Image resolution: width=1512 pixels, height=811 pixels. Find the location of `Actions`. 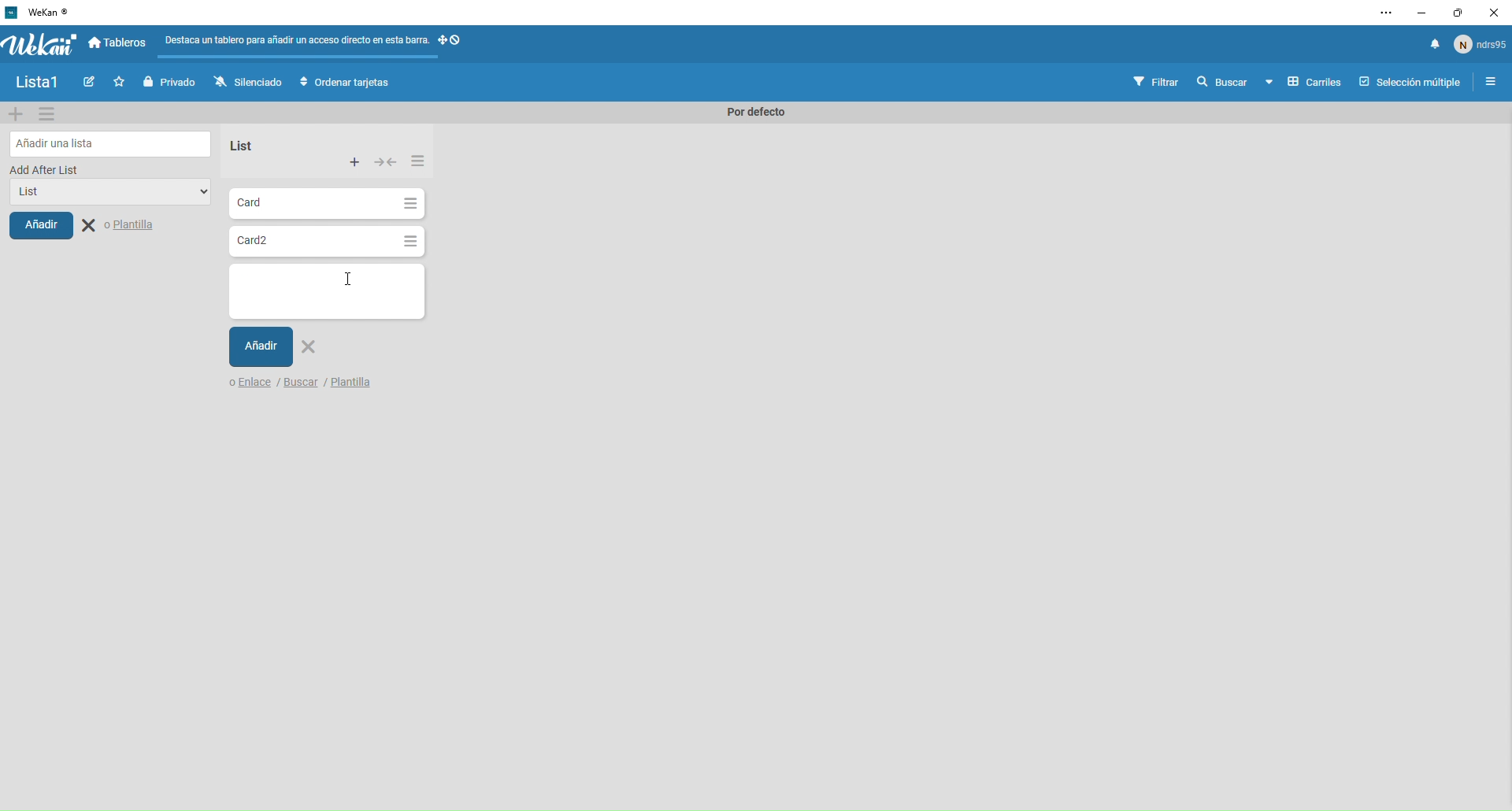

Actions is located at coordinates (454, 45).